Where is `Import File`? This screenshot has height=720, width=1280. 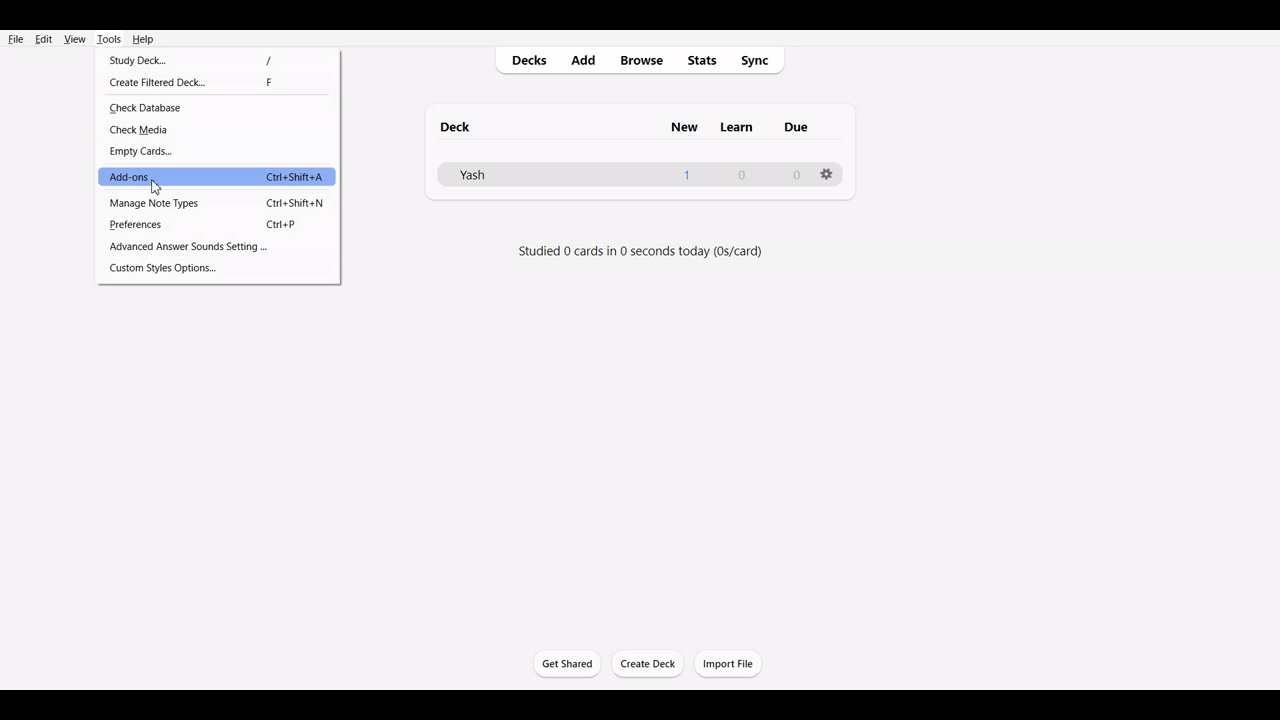 Import File is located at coordinates (729, 663).